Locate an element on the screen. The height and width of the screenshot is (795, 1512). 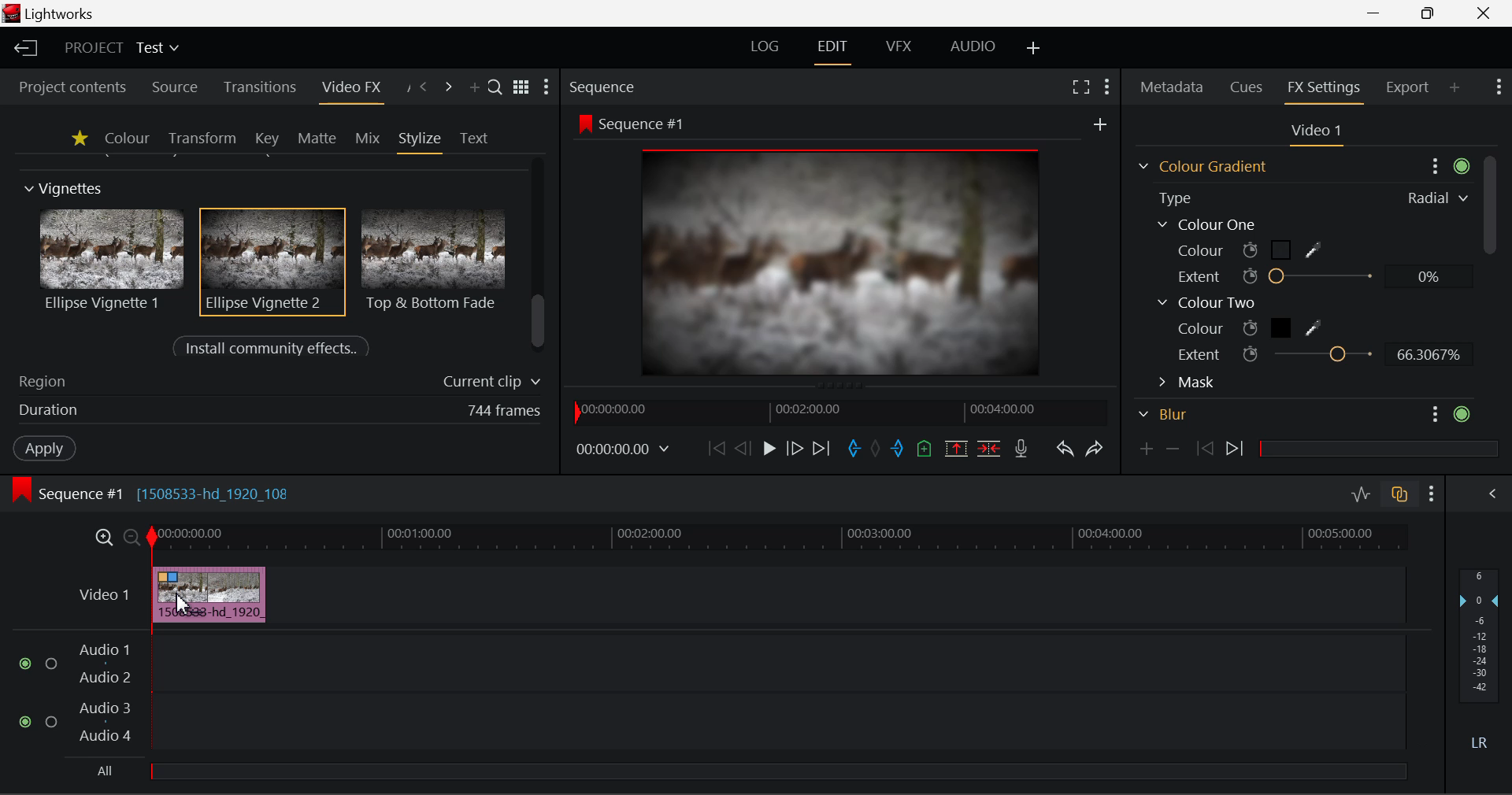
Project Title is located at coordinates (120, 50).